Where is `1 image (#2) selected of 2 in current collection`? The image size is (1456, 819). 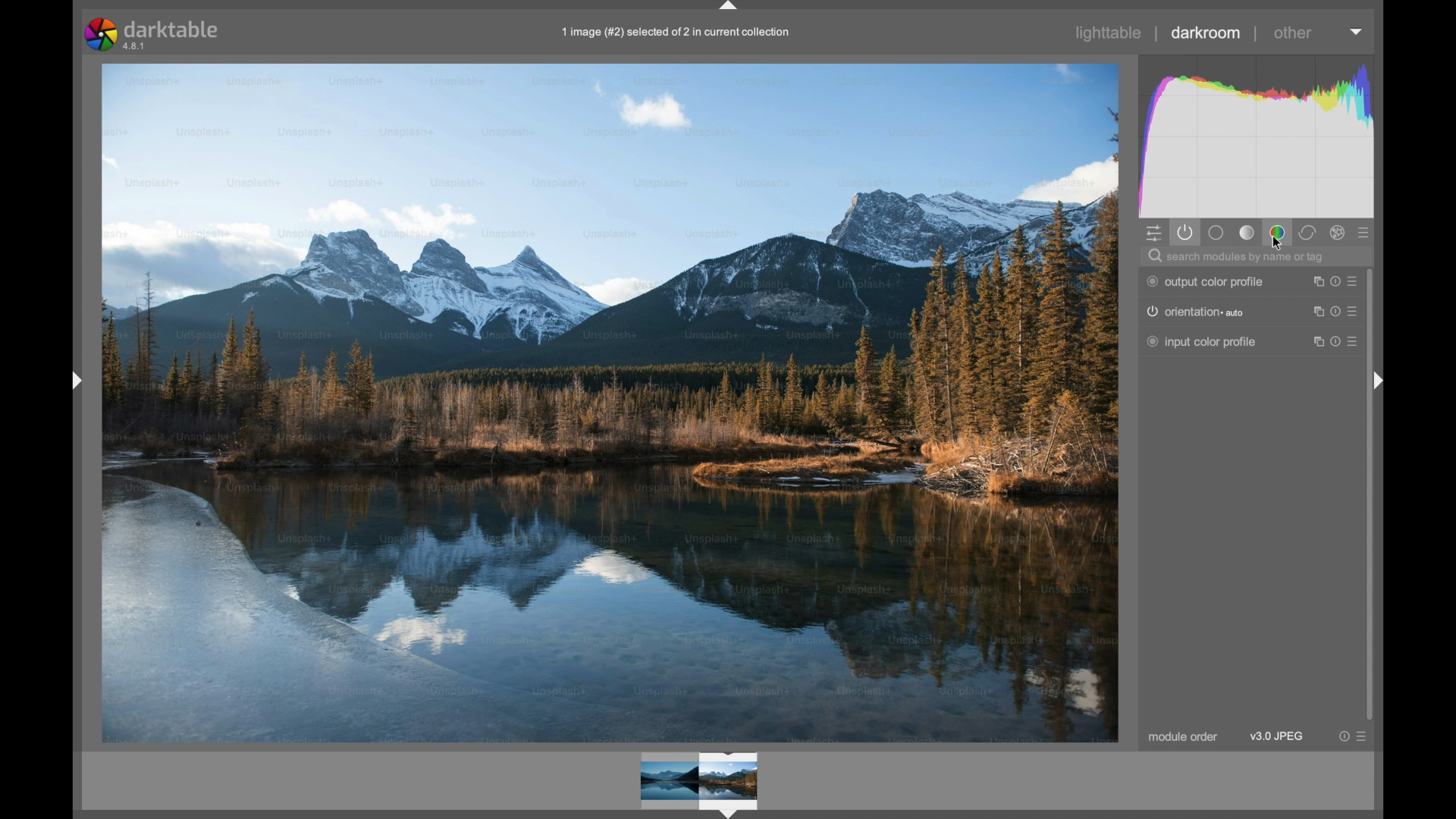
1 image (#2) selected of 2 in current collection is located at coordinates (673, 34).